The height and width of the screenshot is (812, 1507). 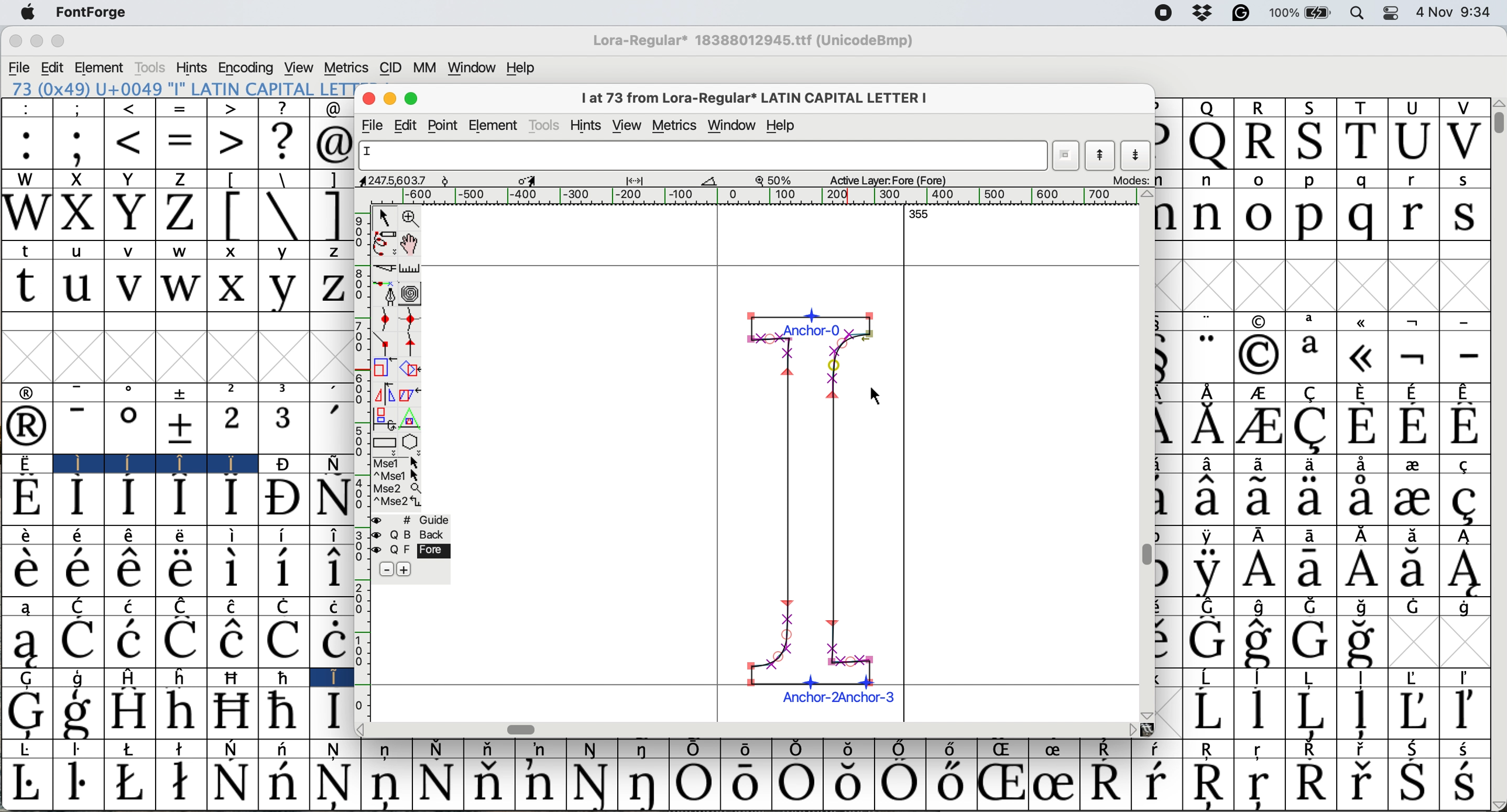 I want to click on p, so click(x=1310, y=181).